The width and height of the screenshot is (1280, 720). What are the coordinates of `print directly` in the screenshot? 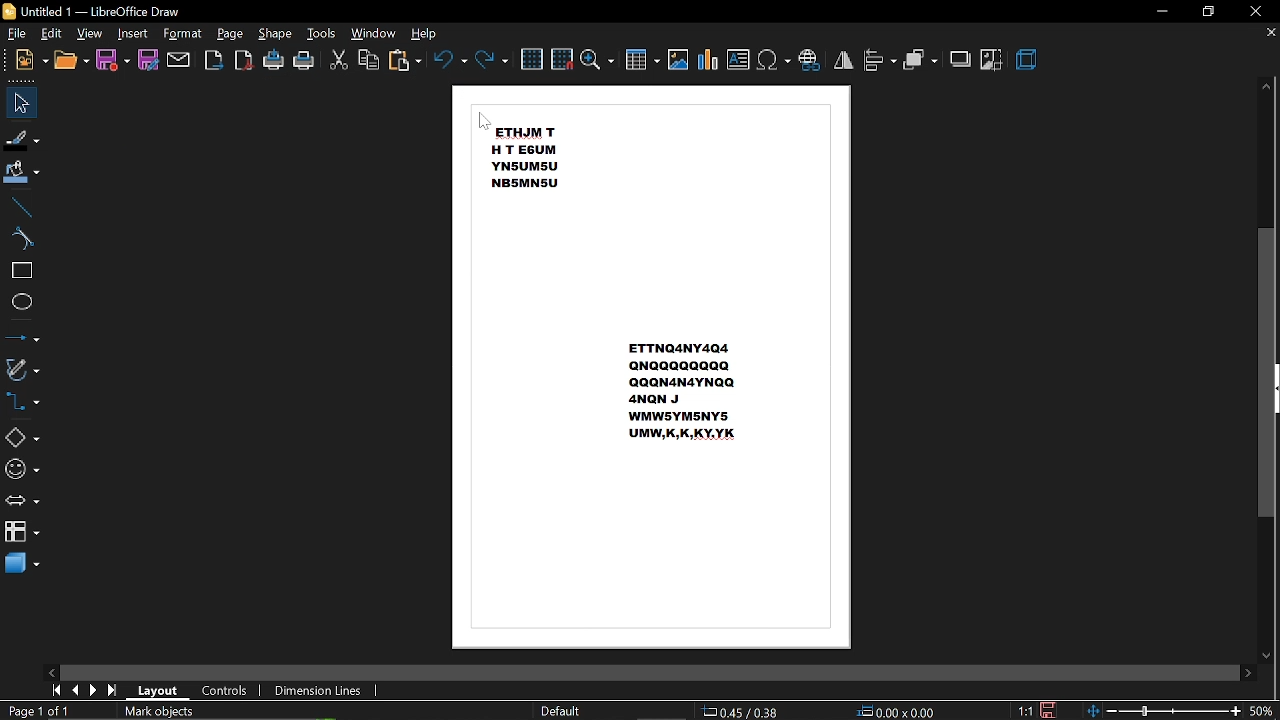 It's located at (274, 61).